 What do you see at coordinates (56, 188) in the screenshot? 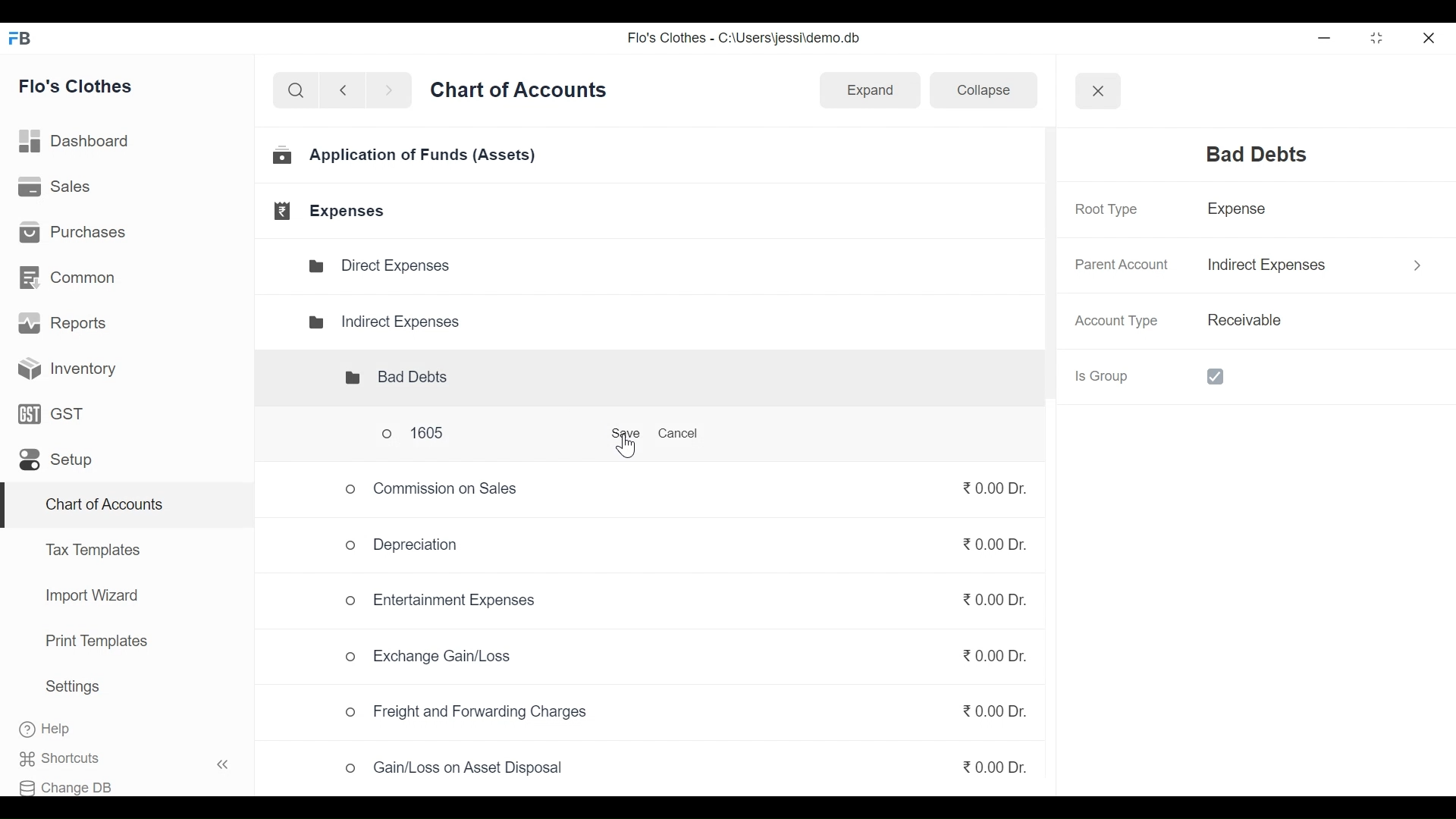
I see `Sales` at bounding box center [56, 188].